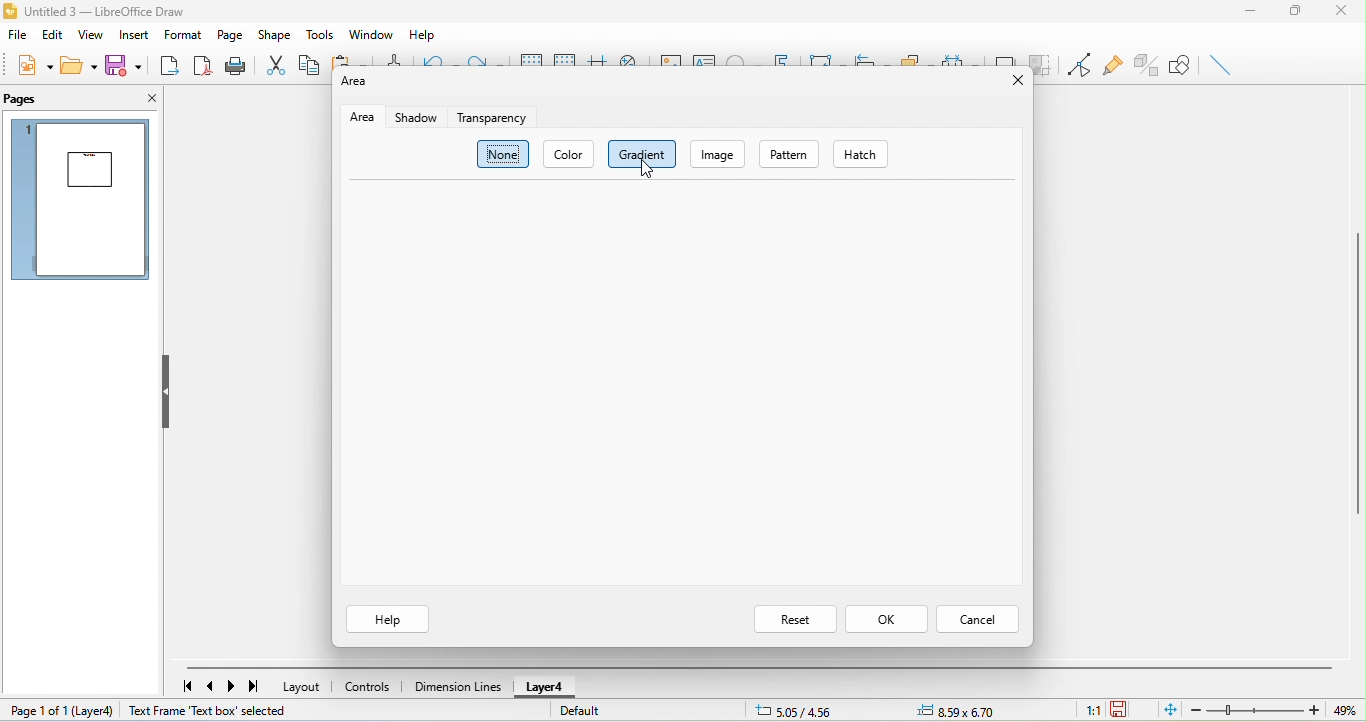 The image size is (1366, 722). I want to click on display to grids, so click(532, 57).